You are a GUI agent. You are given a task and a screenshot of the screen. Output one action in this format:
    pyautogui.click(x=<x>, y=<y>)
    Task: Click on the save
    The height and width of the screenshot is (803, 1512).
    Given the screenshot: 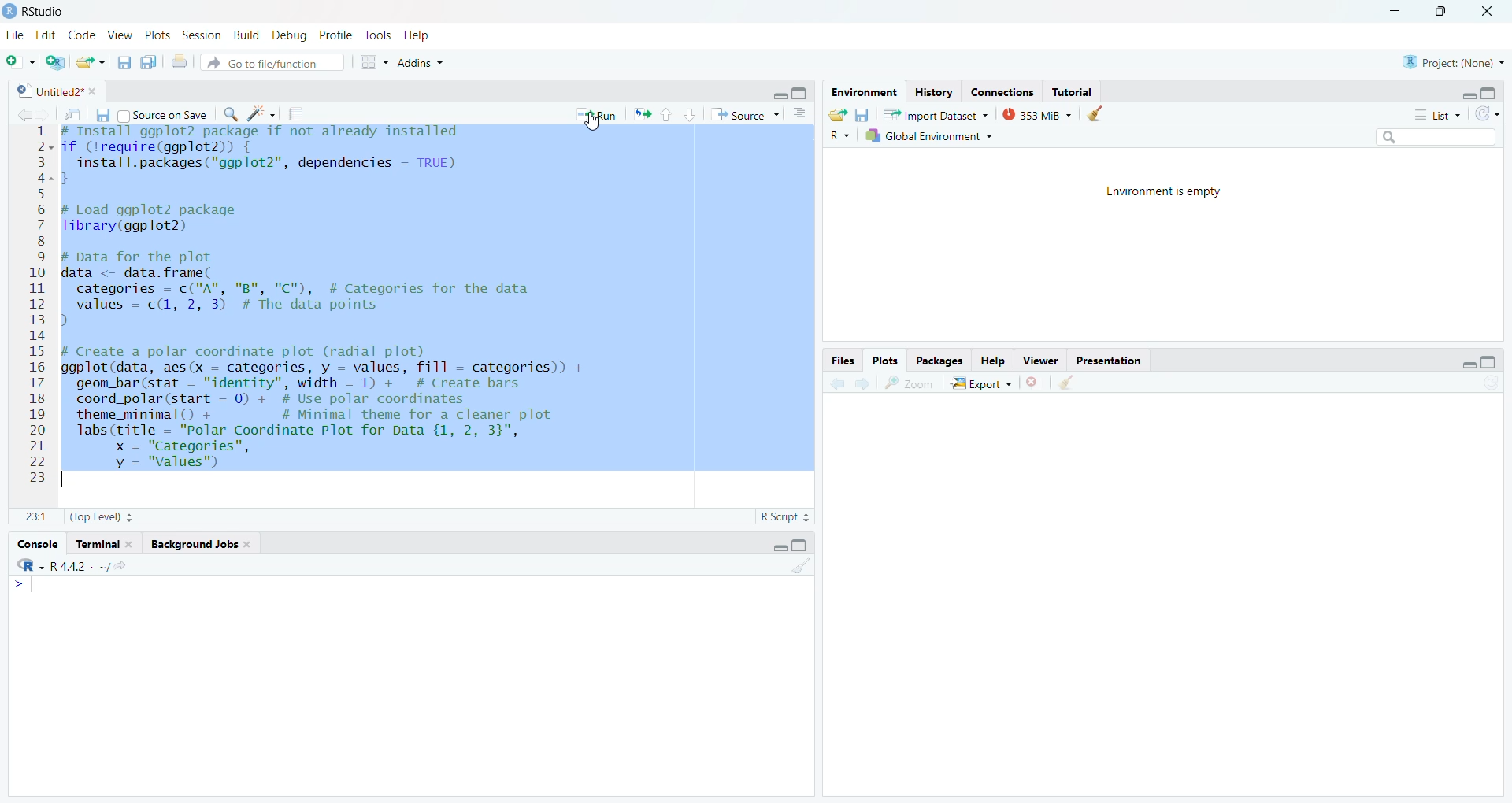 What is the action you would take?
    pyautogui.click(x=864, y=115)
    